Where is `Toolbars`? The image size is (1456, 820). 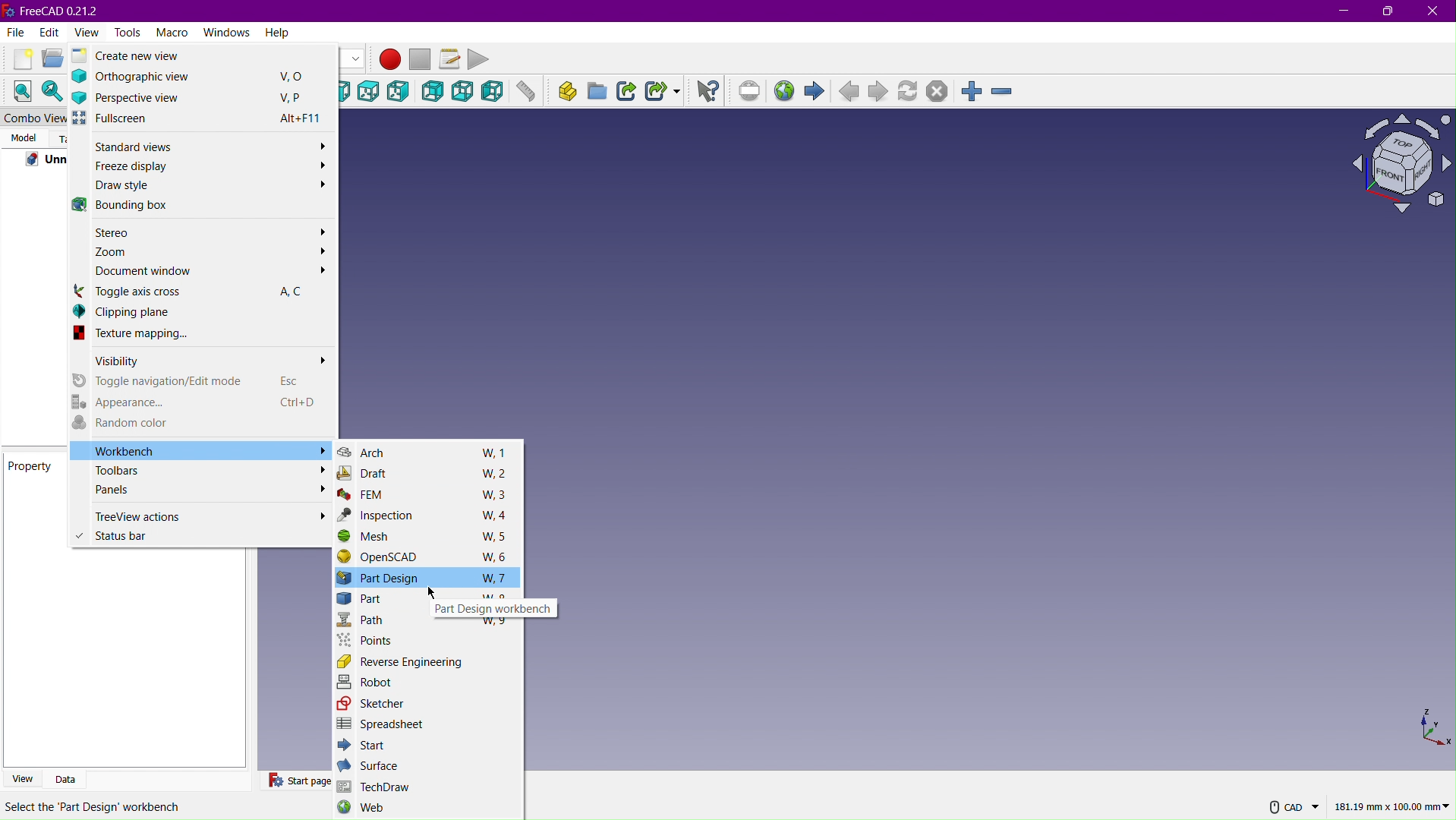 Toolbars is located at coordinates (201, 470).